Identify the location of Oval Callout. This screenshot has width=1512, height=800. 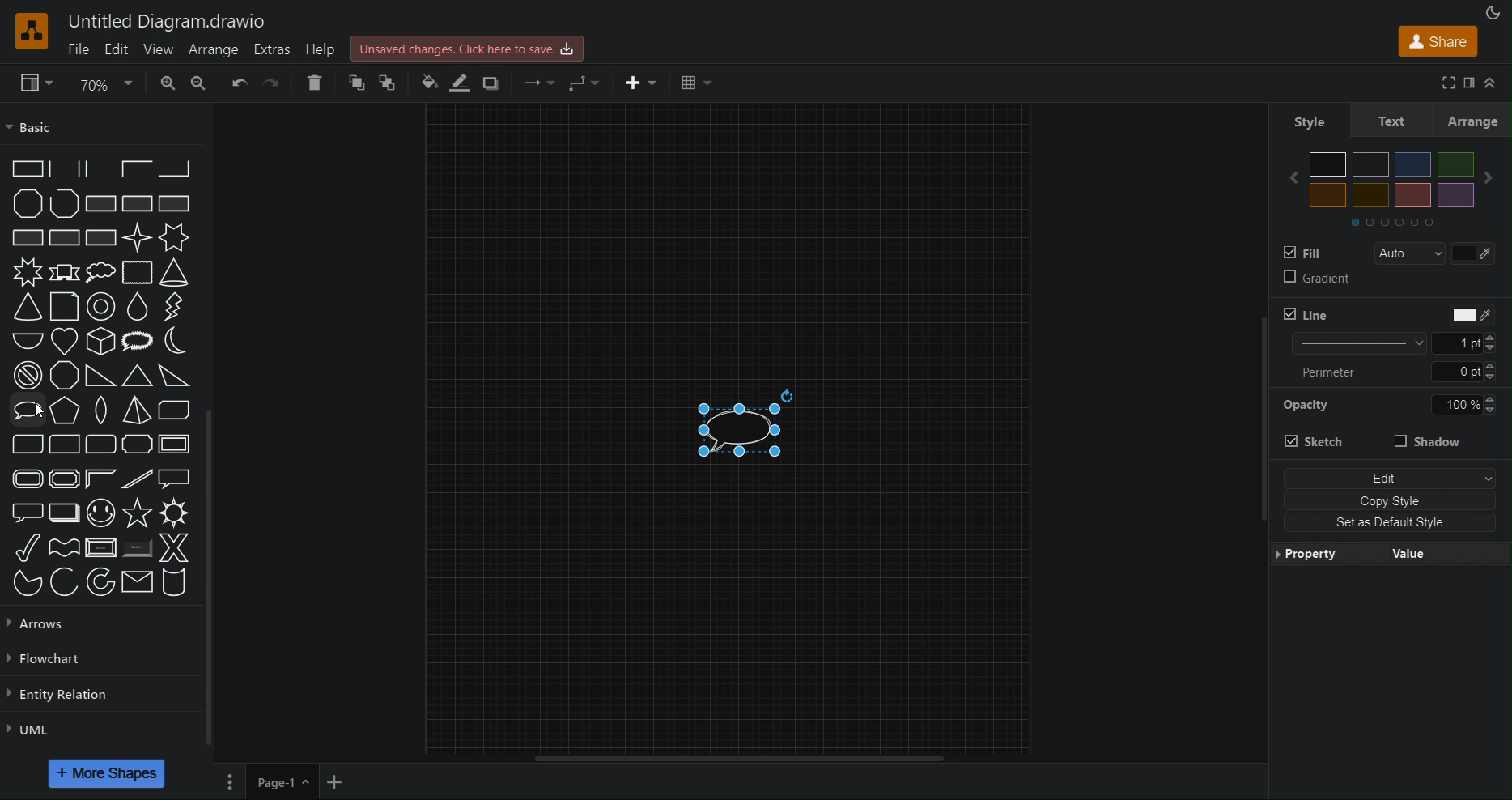
(27, 410).